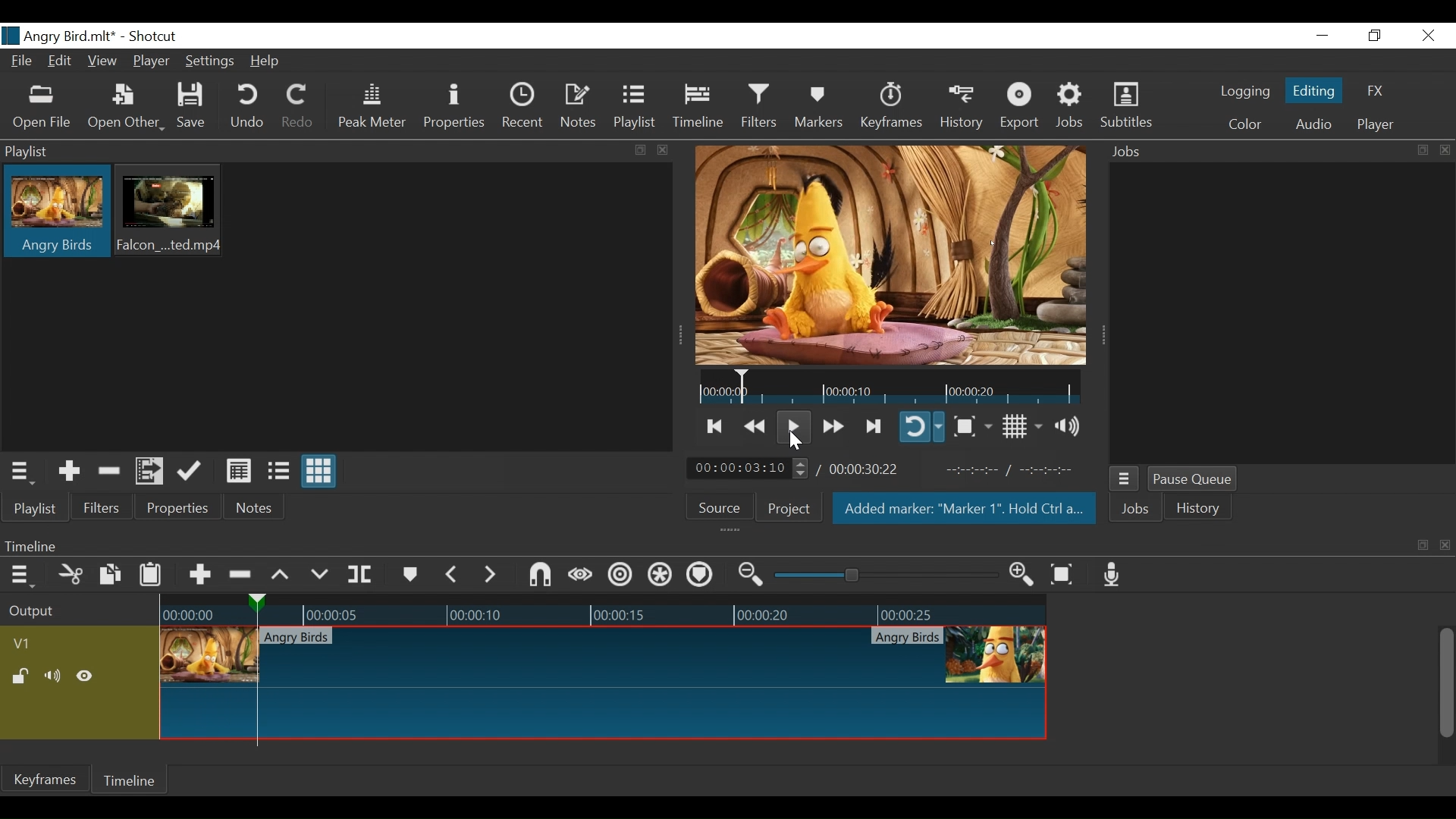 This screenshot has width=1456, height=819. I want to click on History, so click(1202, 510).